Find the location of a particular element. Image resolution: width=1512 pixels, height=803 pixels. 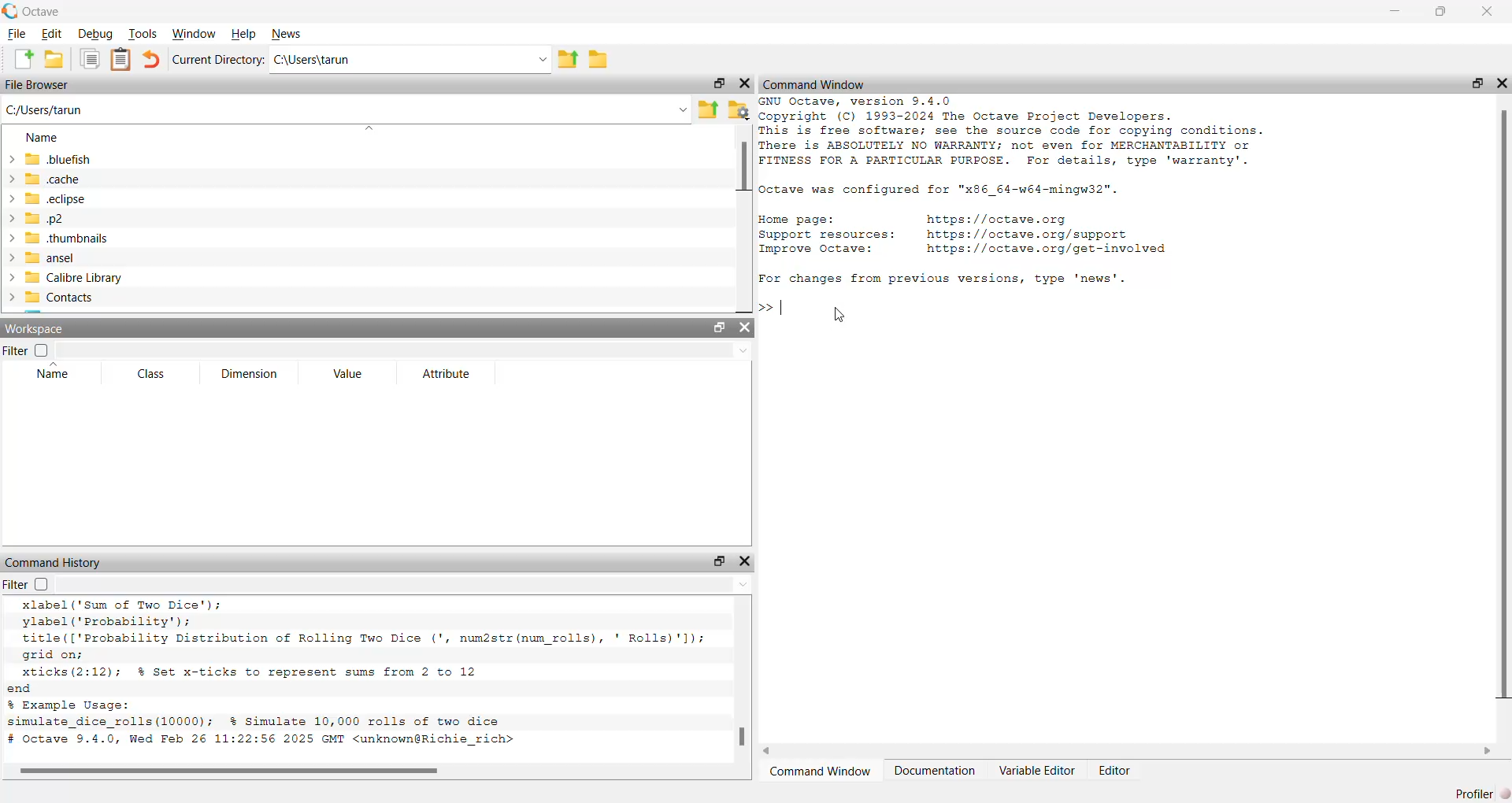

Scrollbar is located at coordinates (741, 738).